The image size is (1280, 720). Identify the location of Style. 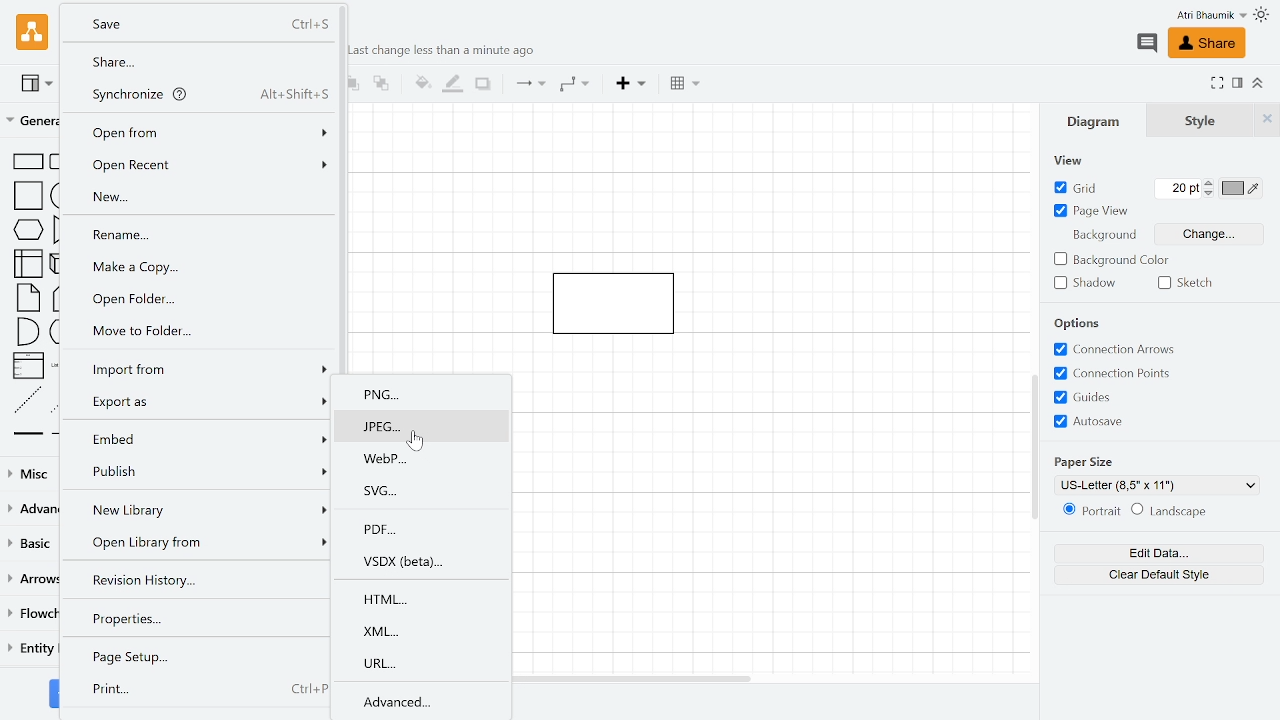
(1192, 120).